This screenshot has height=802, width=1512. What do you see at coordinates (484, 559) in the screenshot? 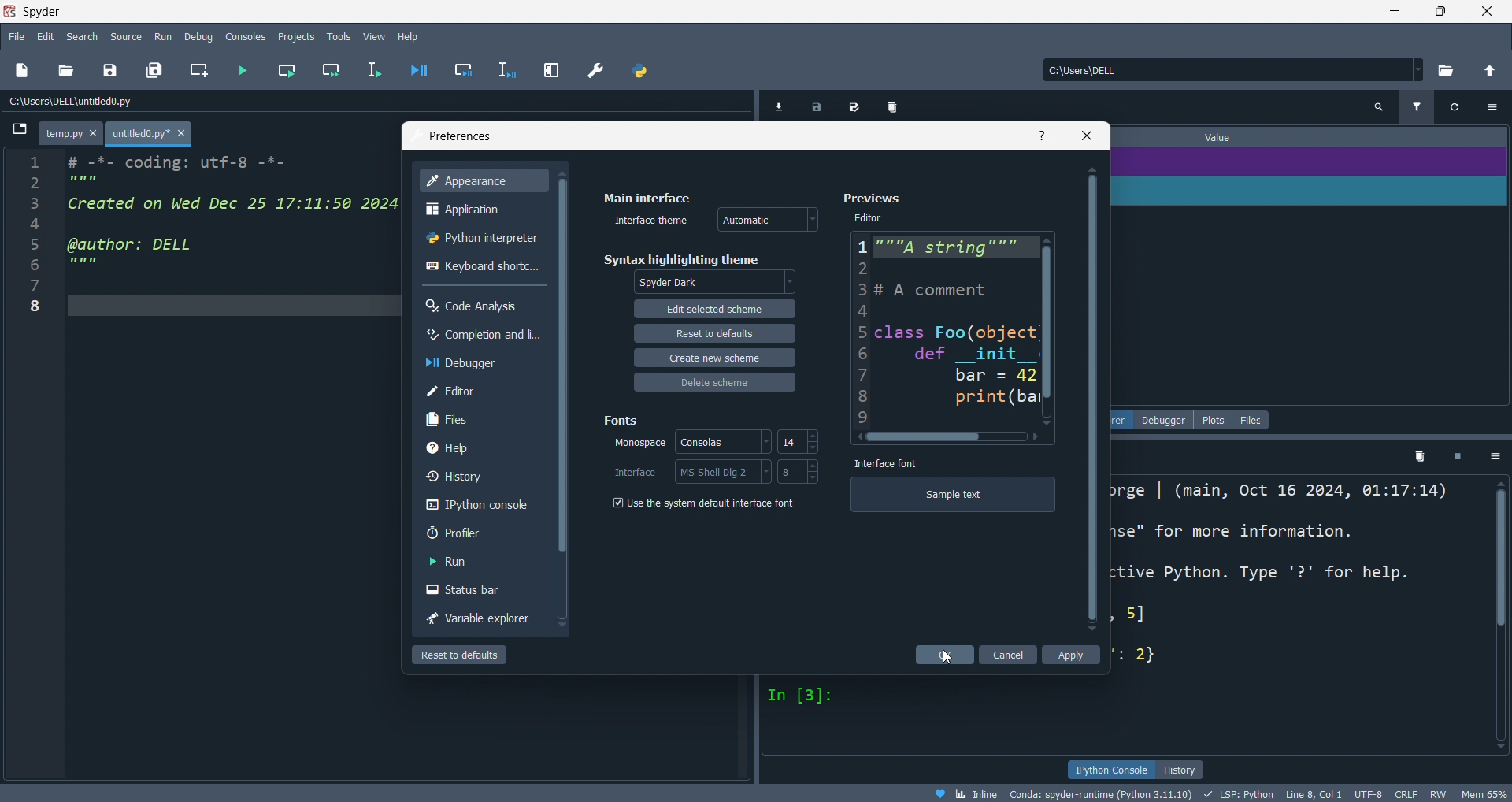
I see `run` at bounding box center [484, 559].